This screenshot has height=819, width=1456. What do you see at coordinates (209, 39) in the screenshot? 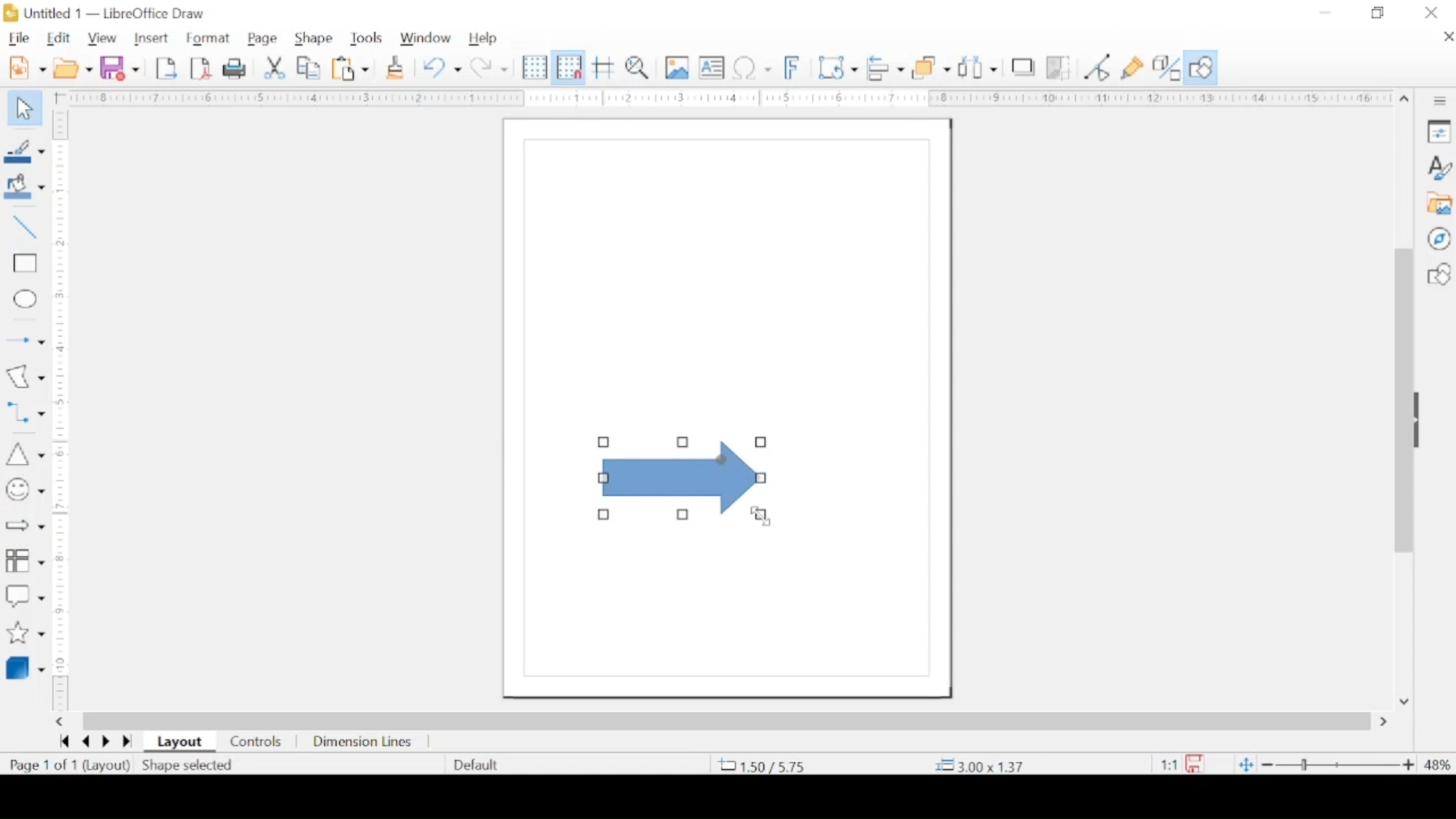
I see `format` at bounding box center [209, 39].